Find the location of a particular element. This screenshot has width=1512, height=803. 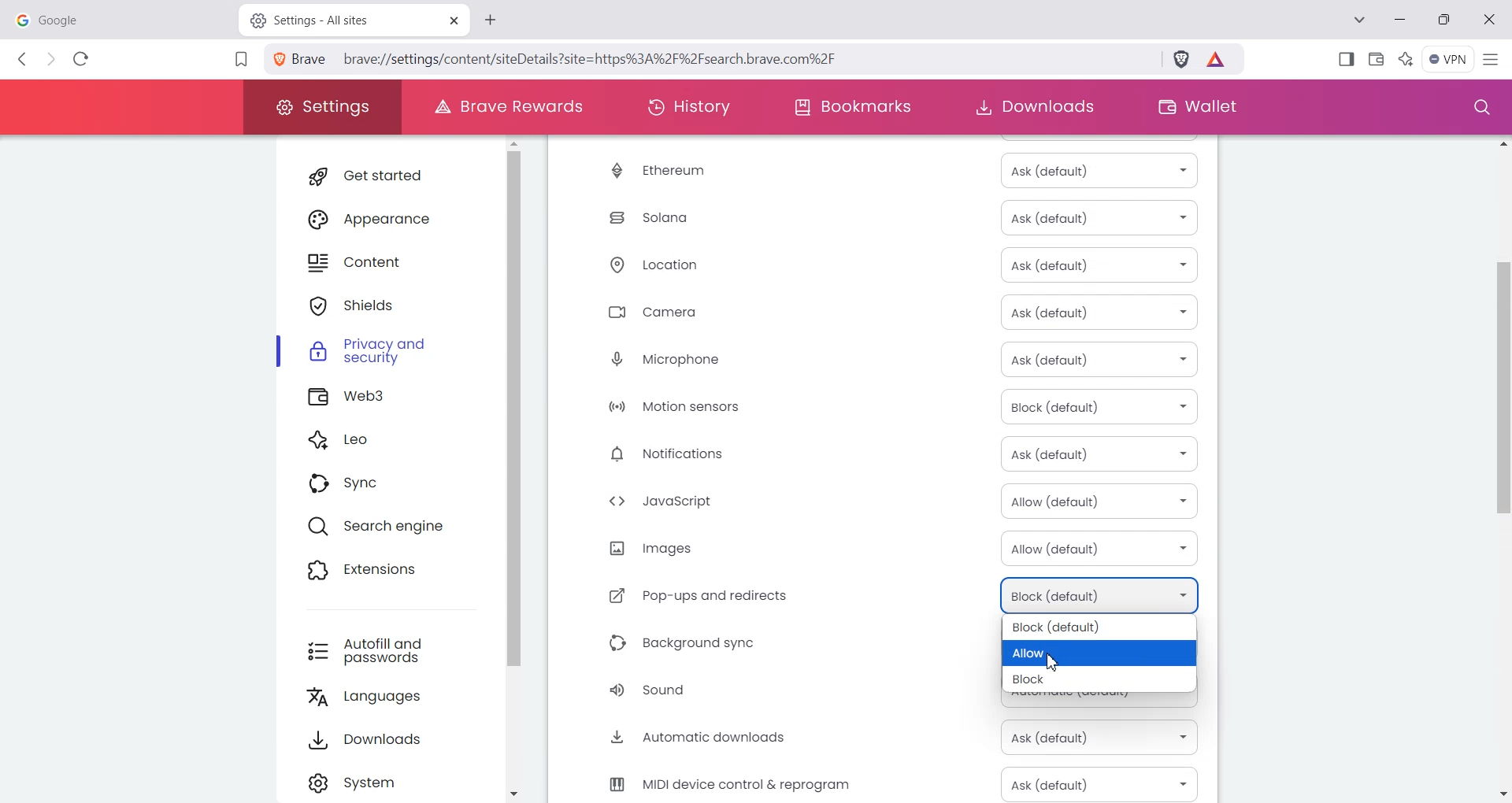

Block is located at coordinates (1098, 679).